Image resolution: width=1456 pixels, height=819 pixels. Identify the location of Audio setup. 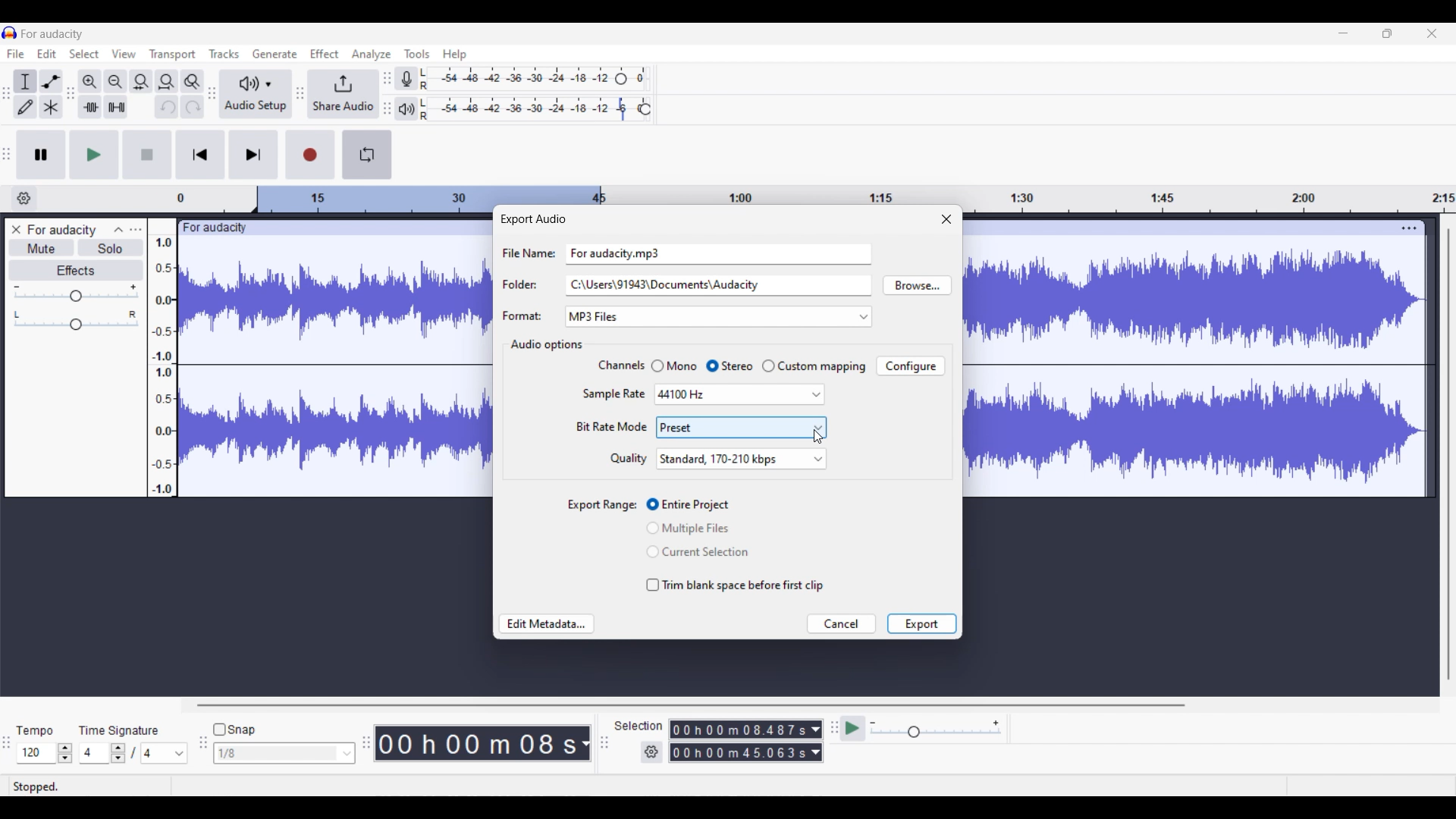
(256, 95).